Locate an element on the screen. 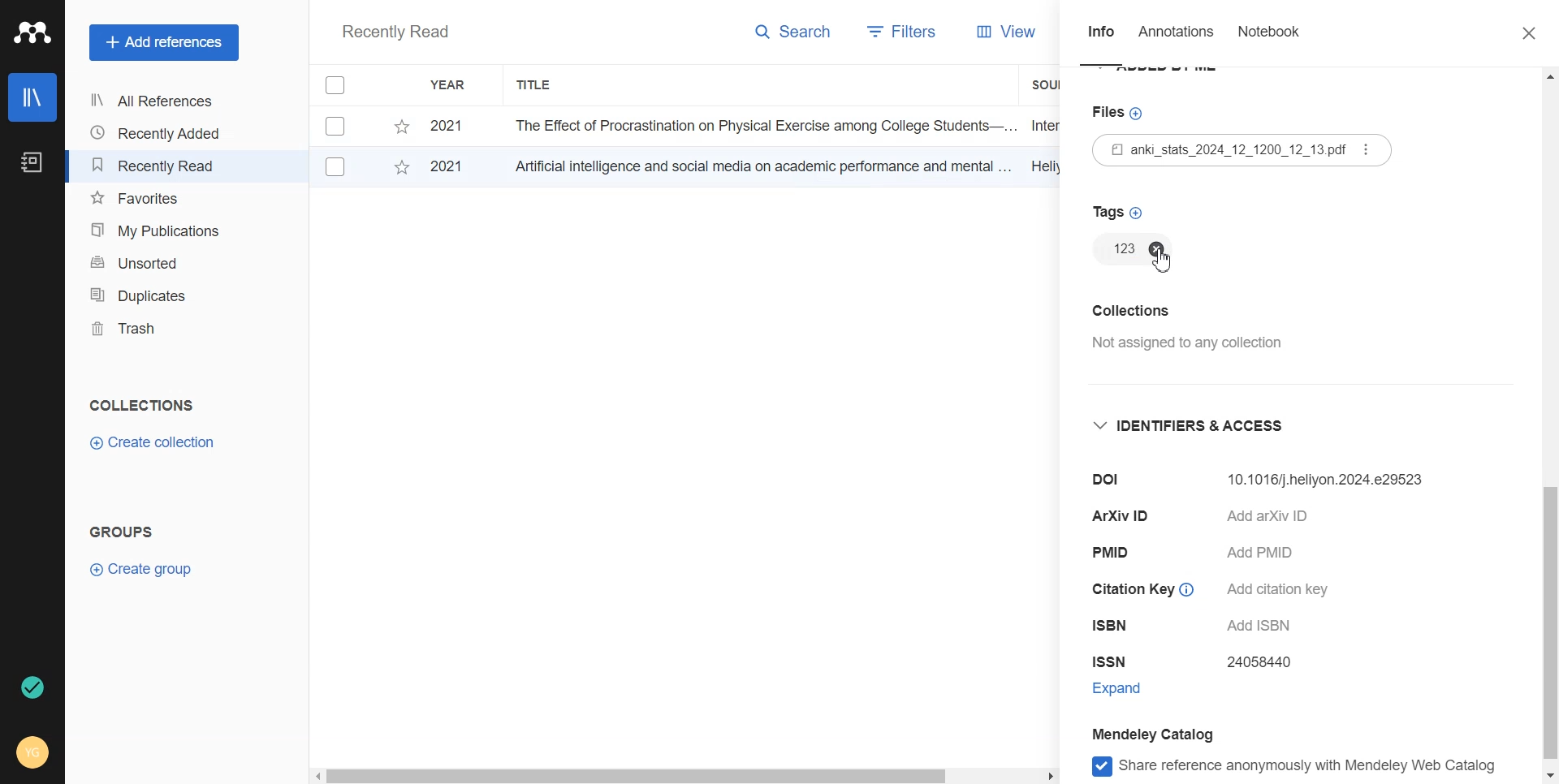 The height and width of the screenshot is (784, 1559). Filters is located at coordinates (896, 33).